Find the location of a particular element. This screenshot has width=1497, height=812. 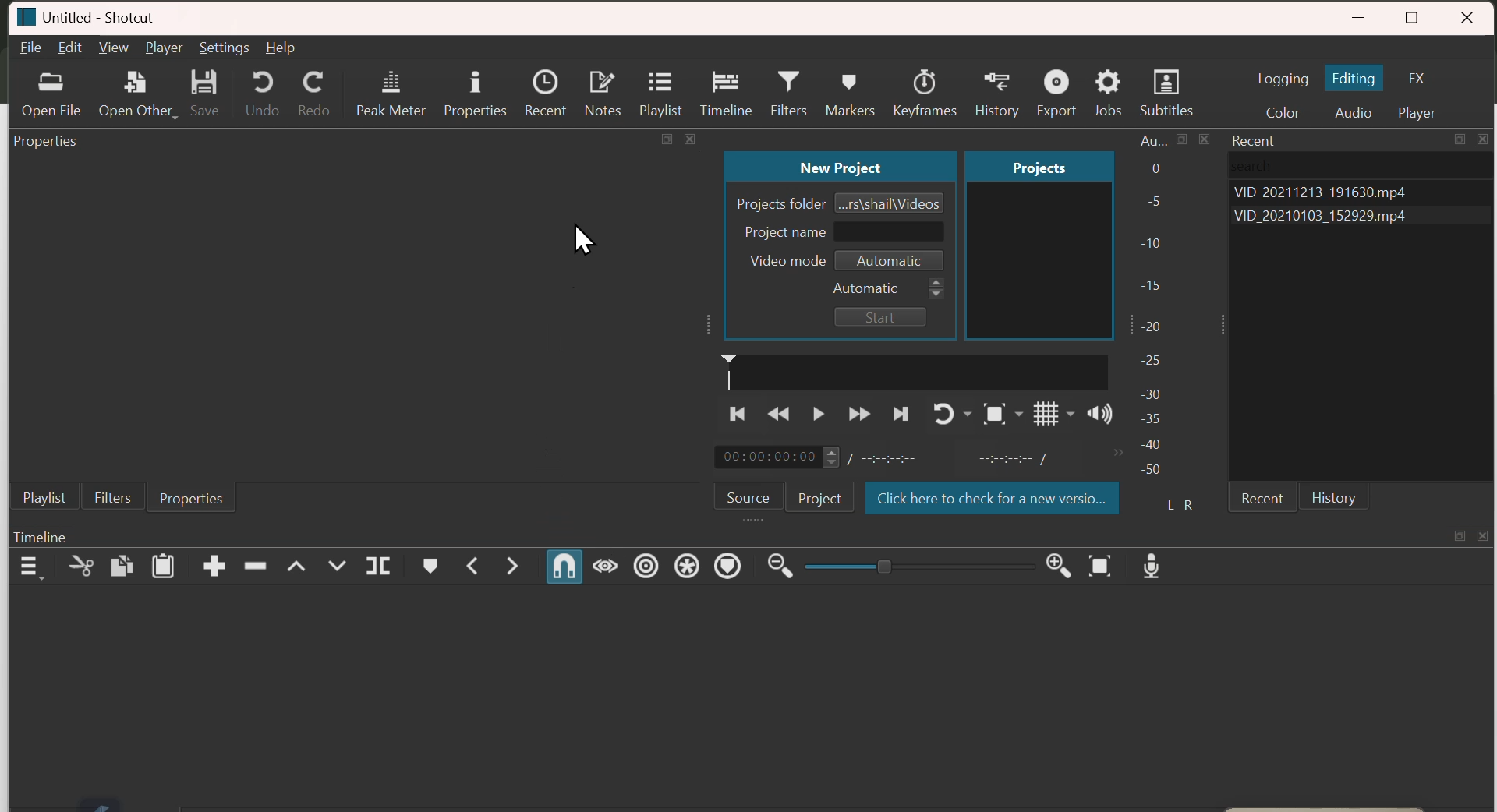

Drag Handle is located at coordinates (755, 520).